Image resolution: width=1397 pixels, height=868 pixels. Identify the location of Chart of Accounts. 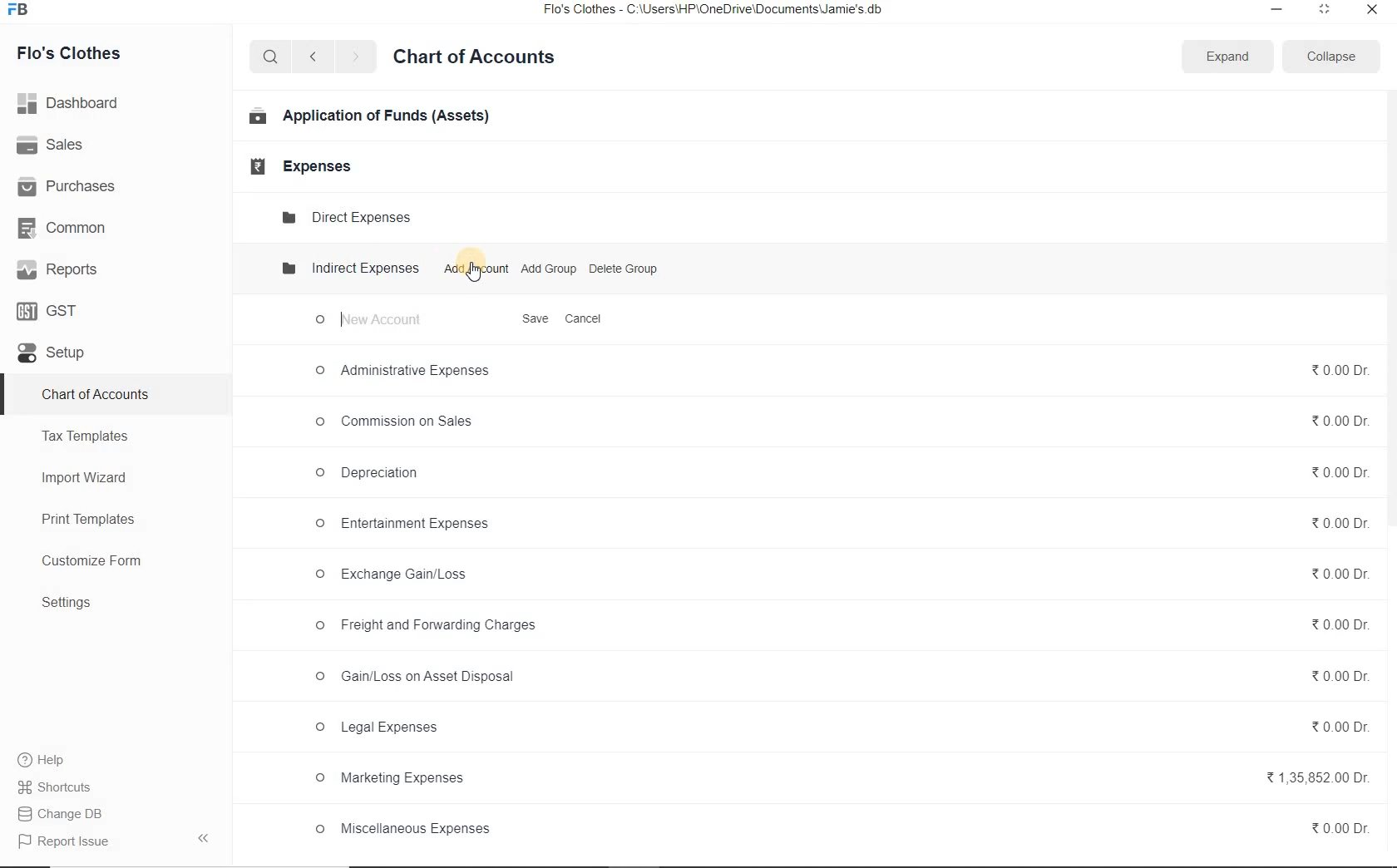
(474, 59).